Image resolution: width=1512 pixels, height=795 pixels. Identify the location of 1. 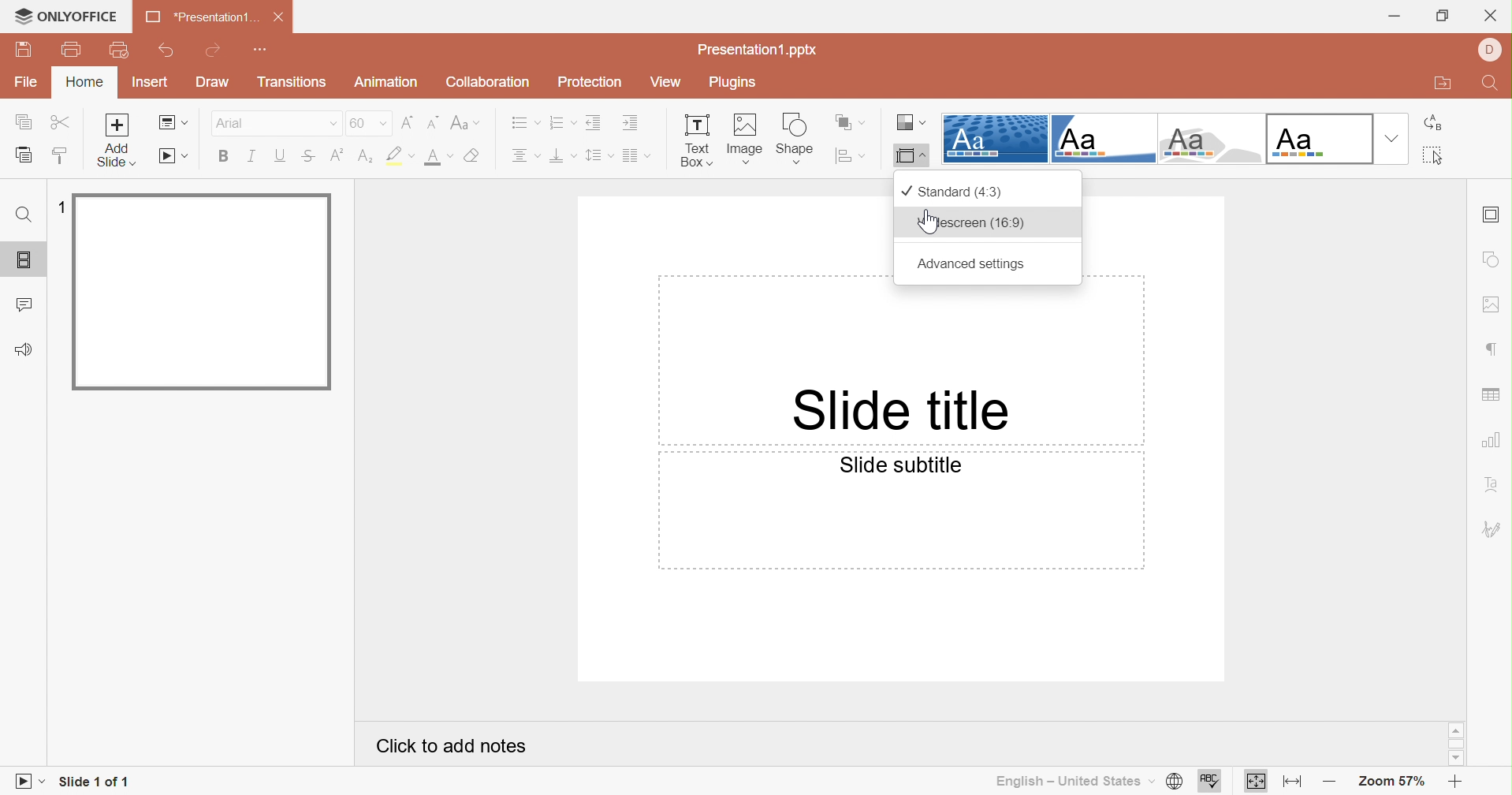
(58, 207).